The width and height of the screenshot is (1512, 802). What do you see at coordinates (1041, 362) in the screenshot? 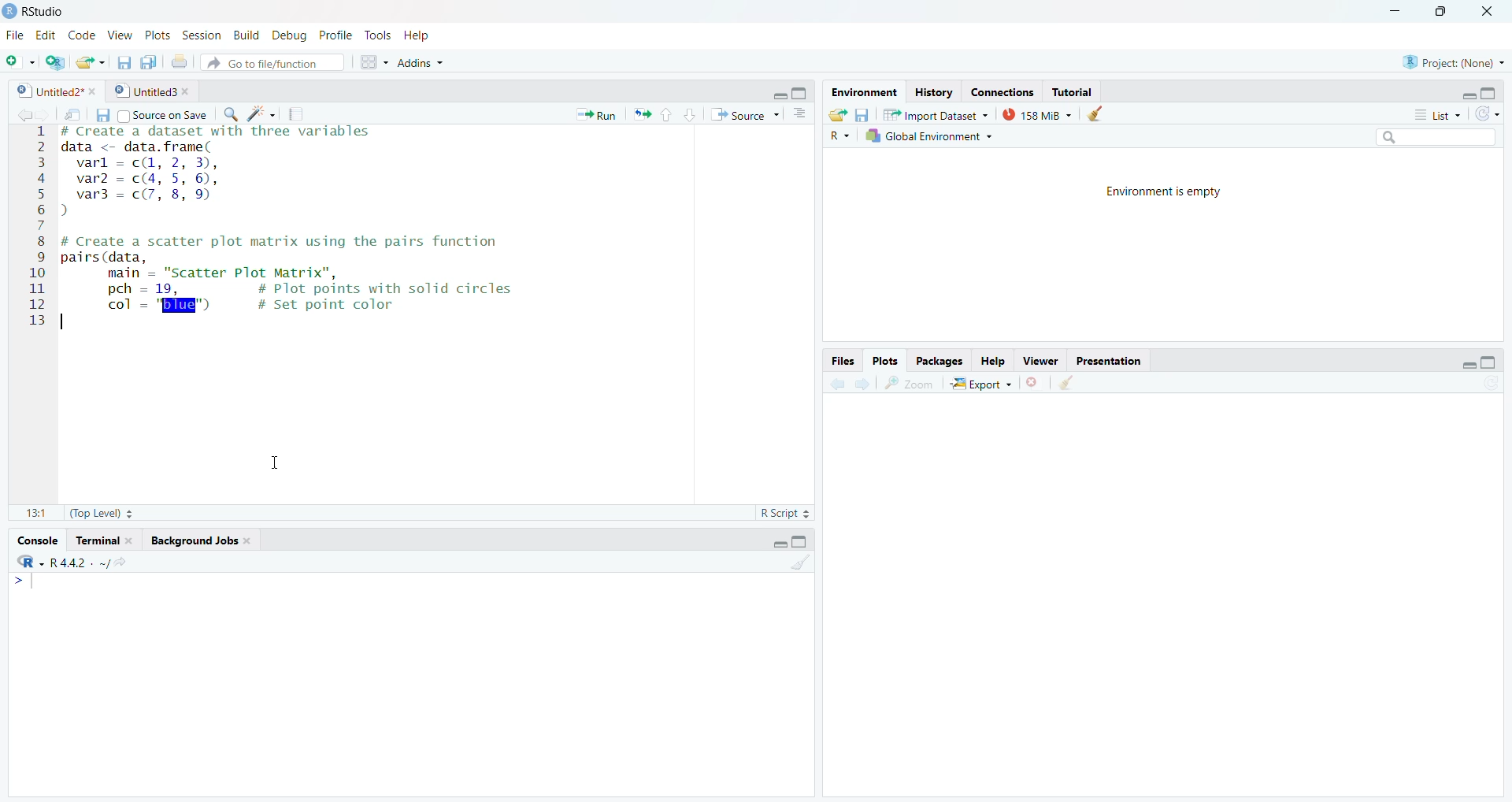
I see ` Viewer` at bounding box center [1041, 362].